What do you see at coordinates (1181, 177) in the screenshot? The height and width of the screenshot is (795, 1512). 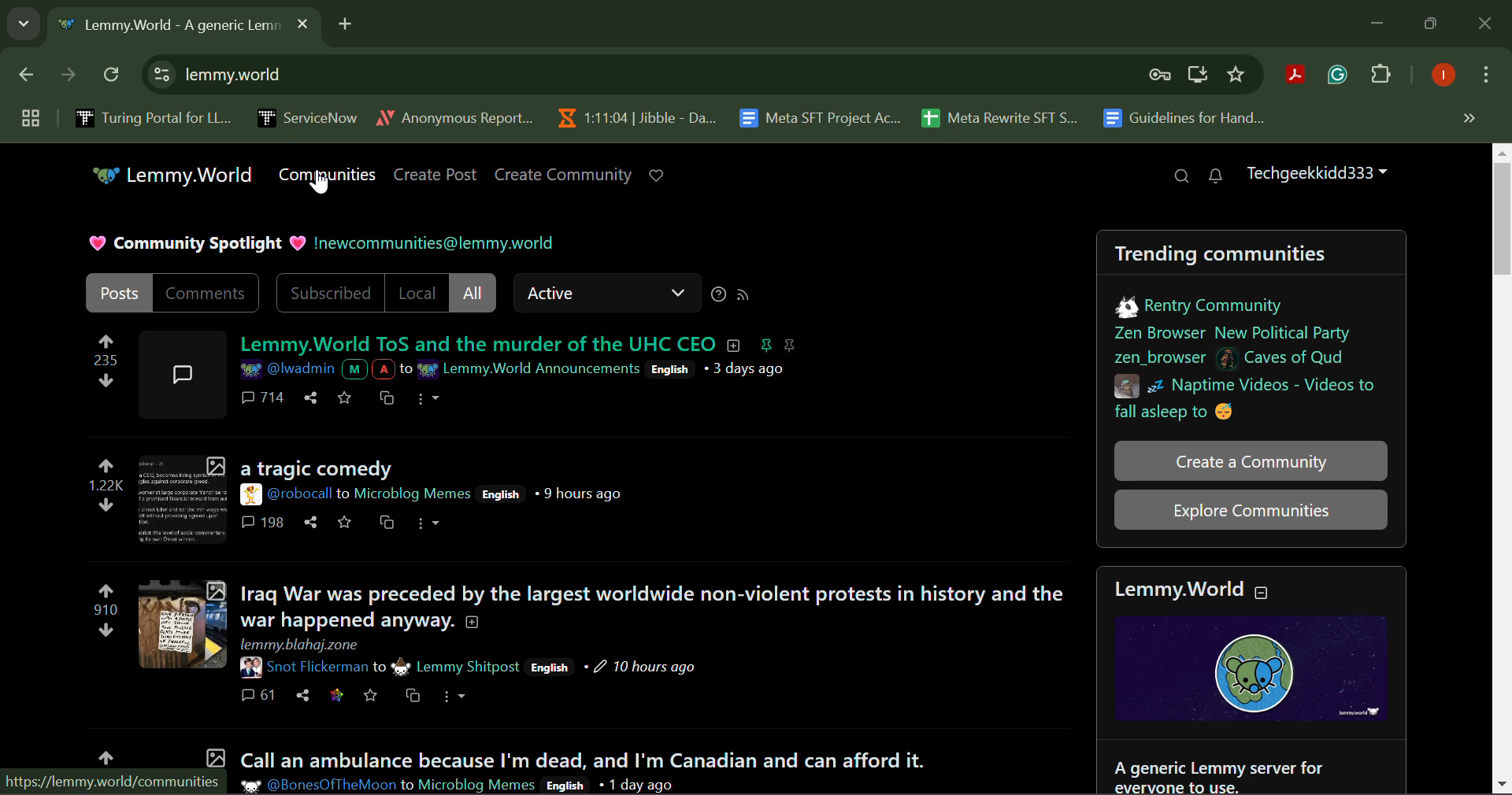 I see `Search` at bounding box center [1181, 177].